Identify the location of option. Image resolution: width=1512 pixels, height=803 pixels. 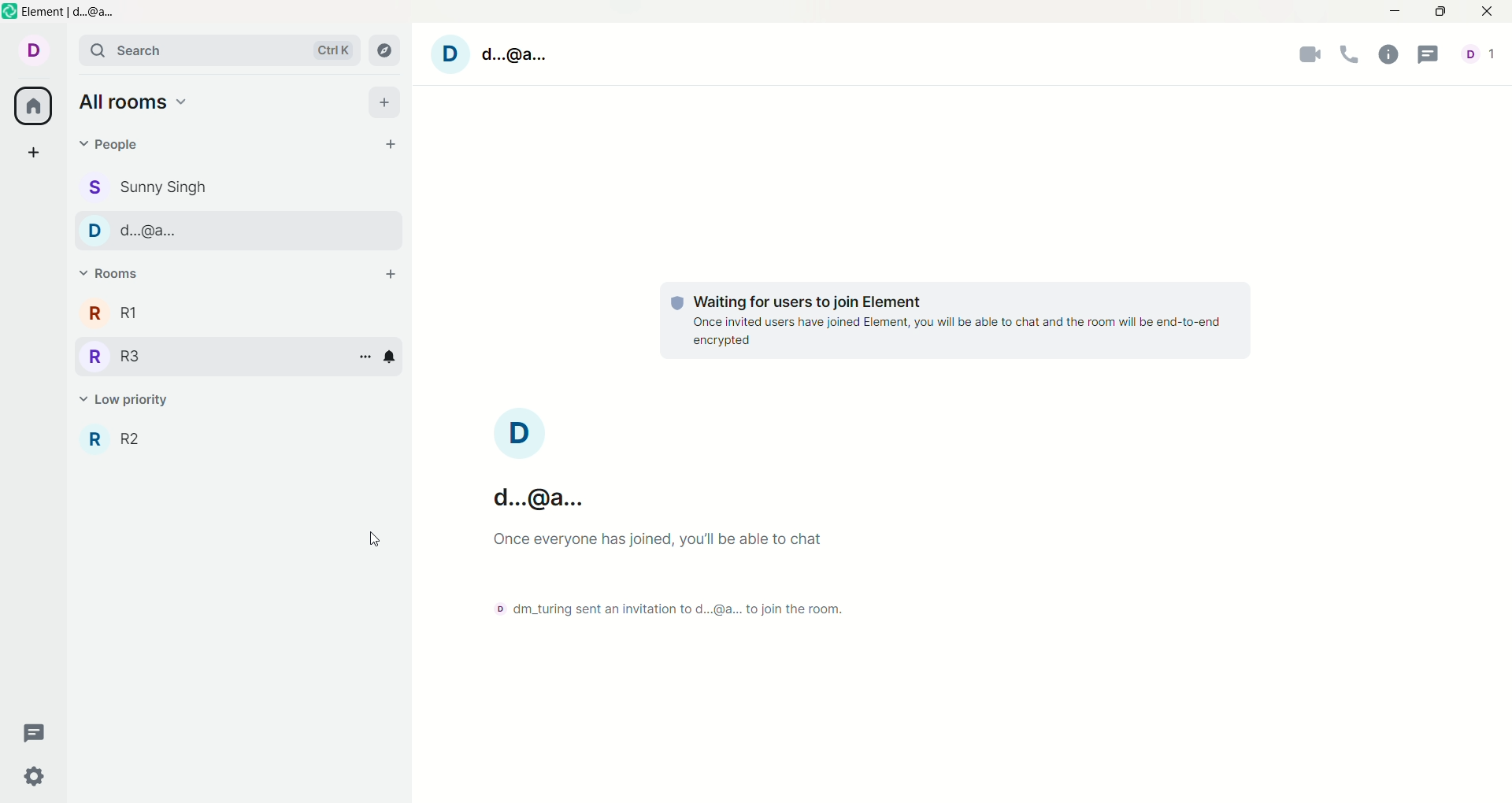
(365, 358).